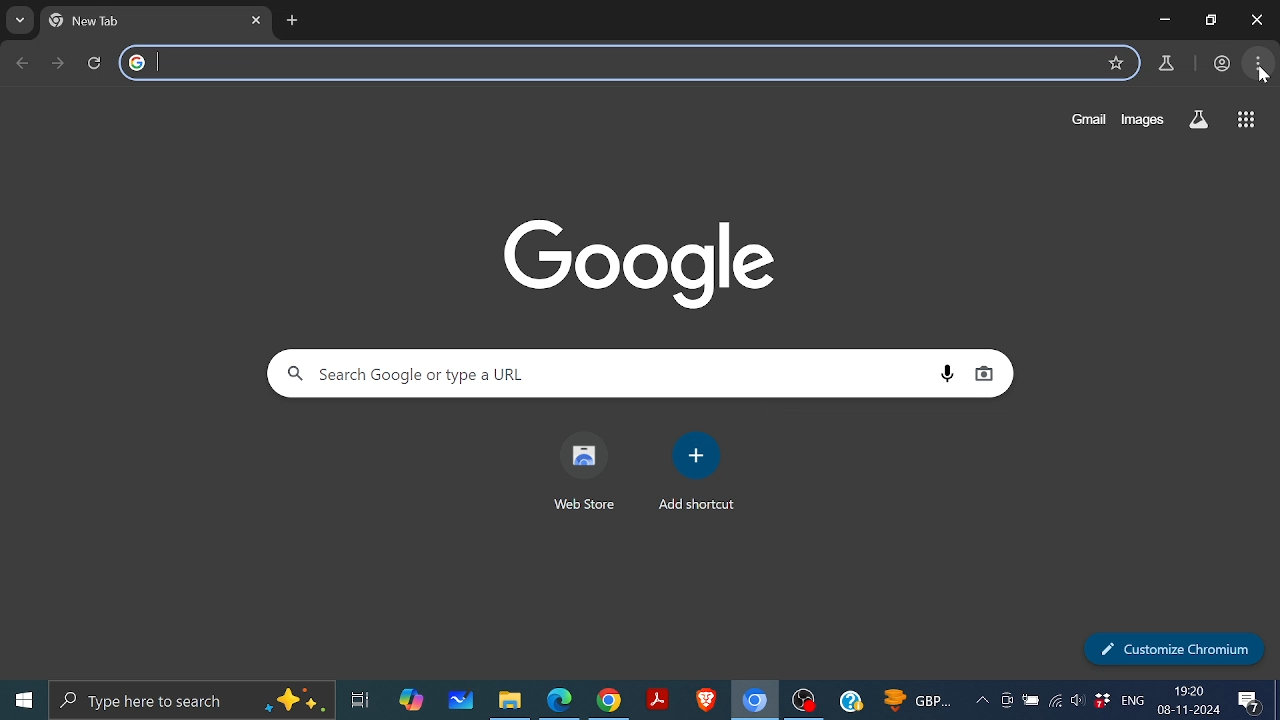  Describe the element at coordinates (462, 699) in the screenshot. I see `Whitebiard` at that location.